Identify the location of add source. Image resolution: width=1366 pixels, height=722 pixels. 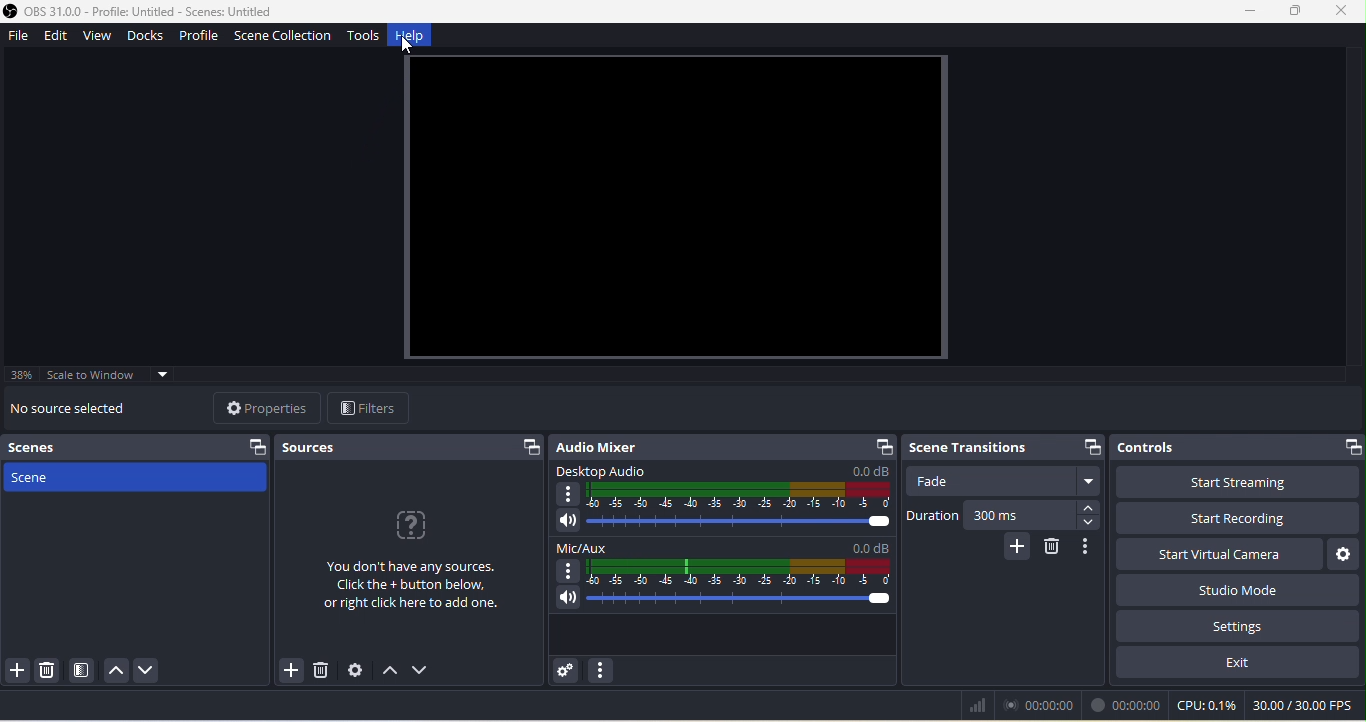
(284, 672).